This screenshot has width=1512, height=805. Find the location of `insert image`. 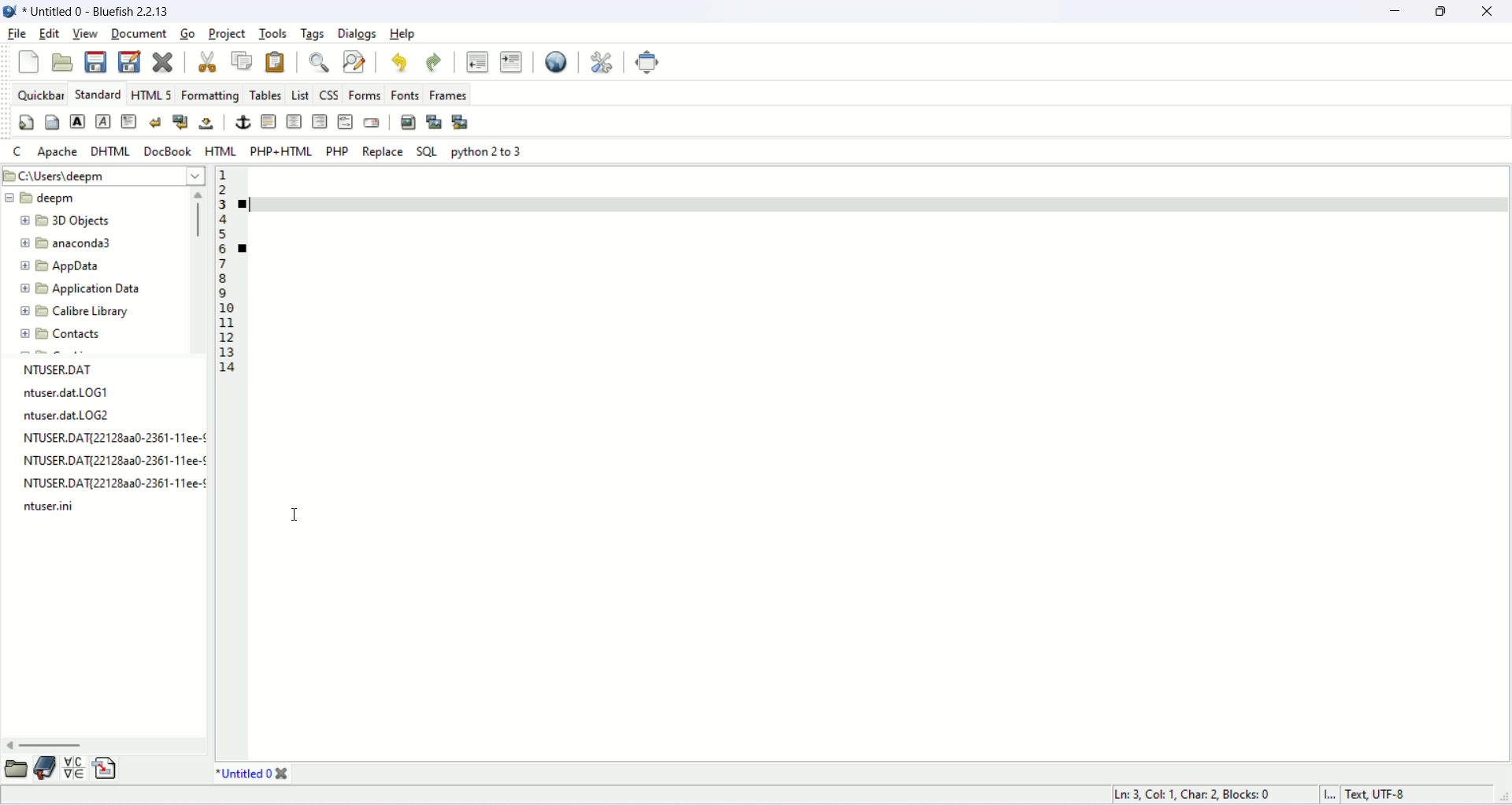

insert image is located at coordinates (409, 121).